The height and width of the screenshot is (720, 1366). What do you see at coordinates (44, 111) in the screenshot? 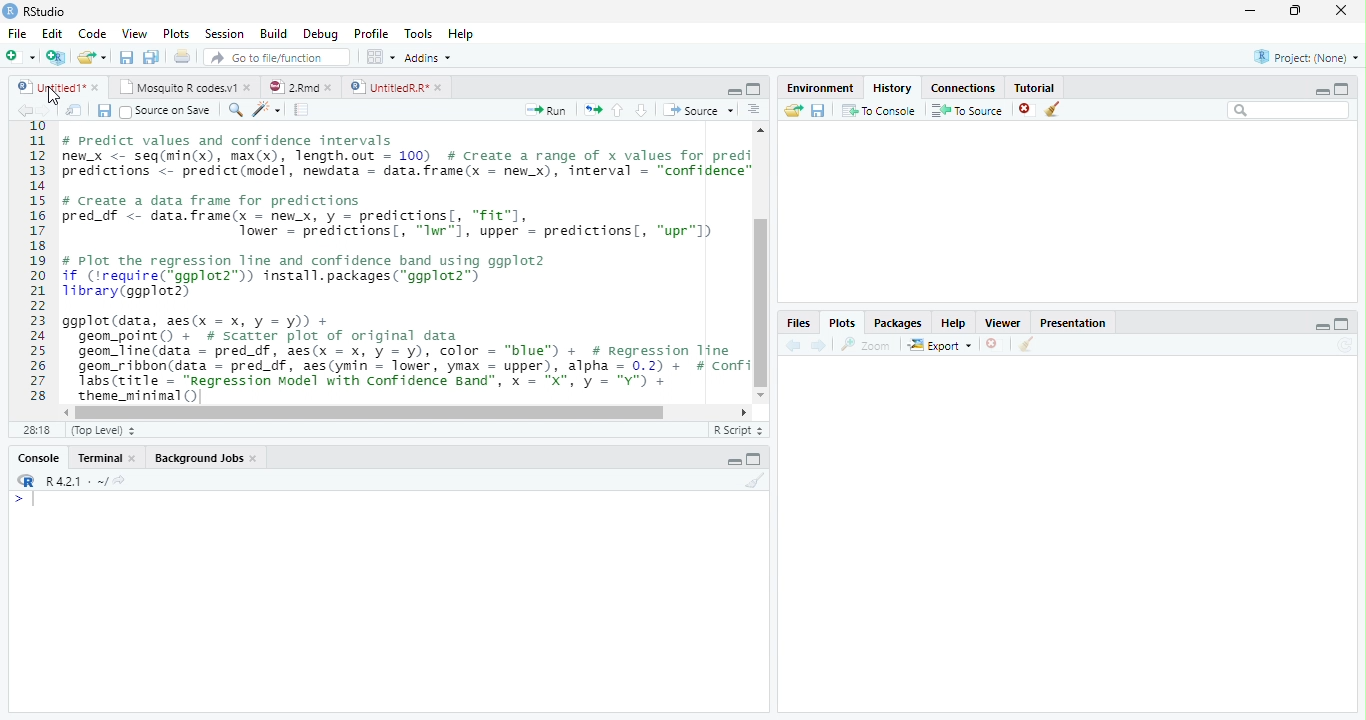
I see `Next` at bounding box center [44, 111].